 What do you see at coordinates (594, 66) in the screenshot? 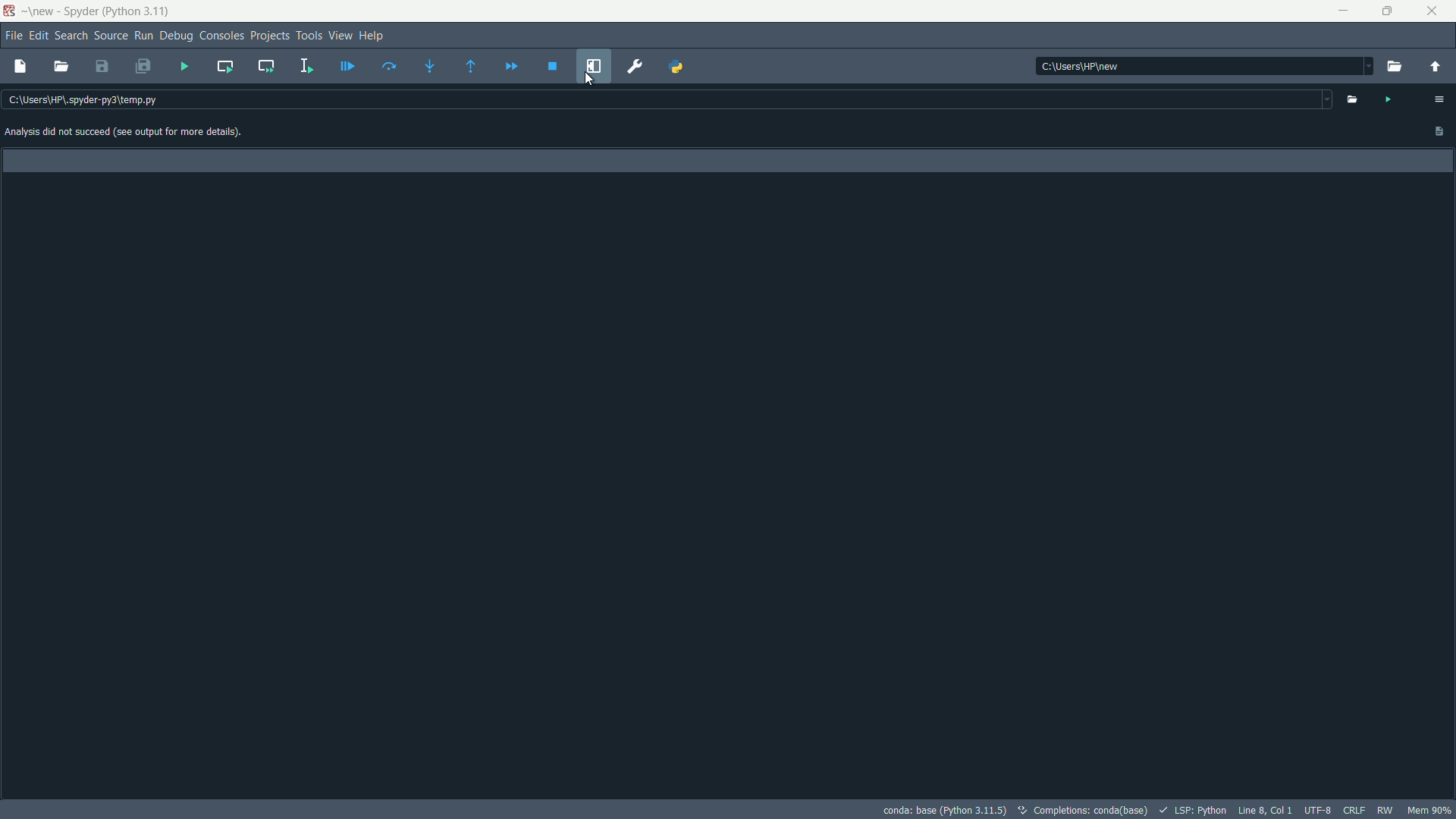
I see `maximize current pane` at bounding box center [594, 66].